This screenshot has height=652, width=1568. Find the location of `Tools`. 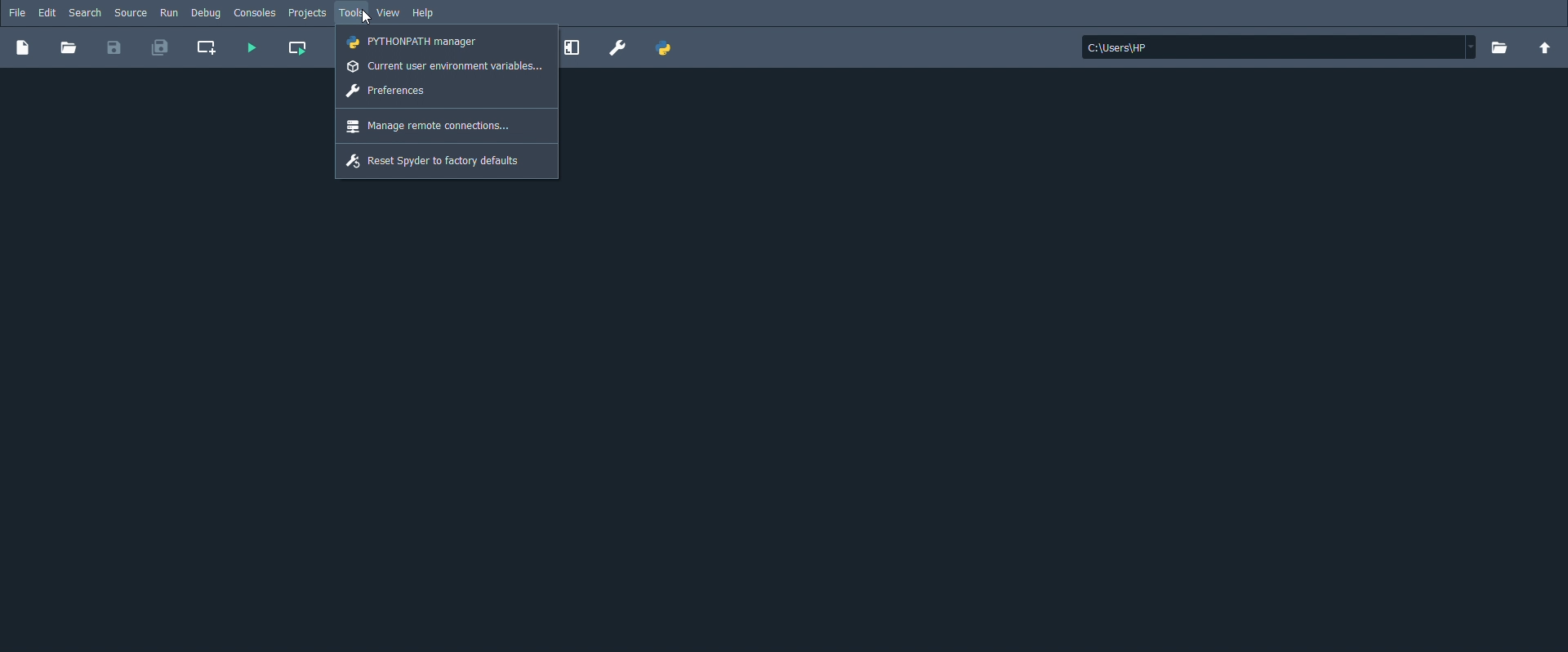

Tools is located at coordinates (352, 13).